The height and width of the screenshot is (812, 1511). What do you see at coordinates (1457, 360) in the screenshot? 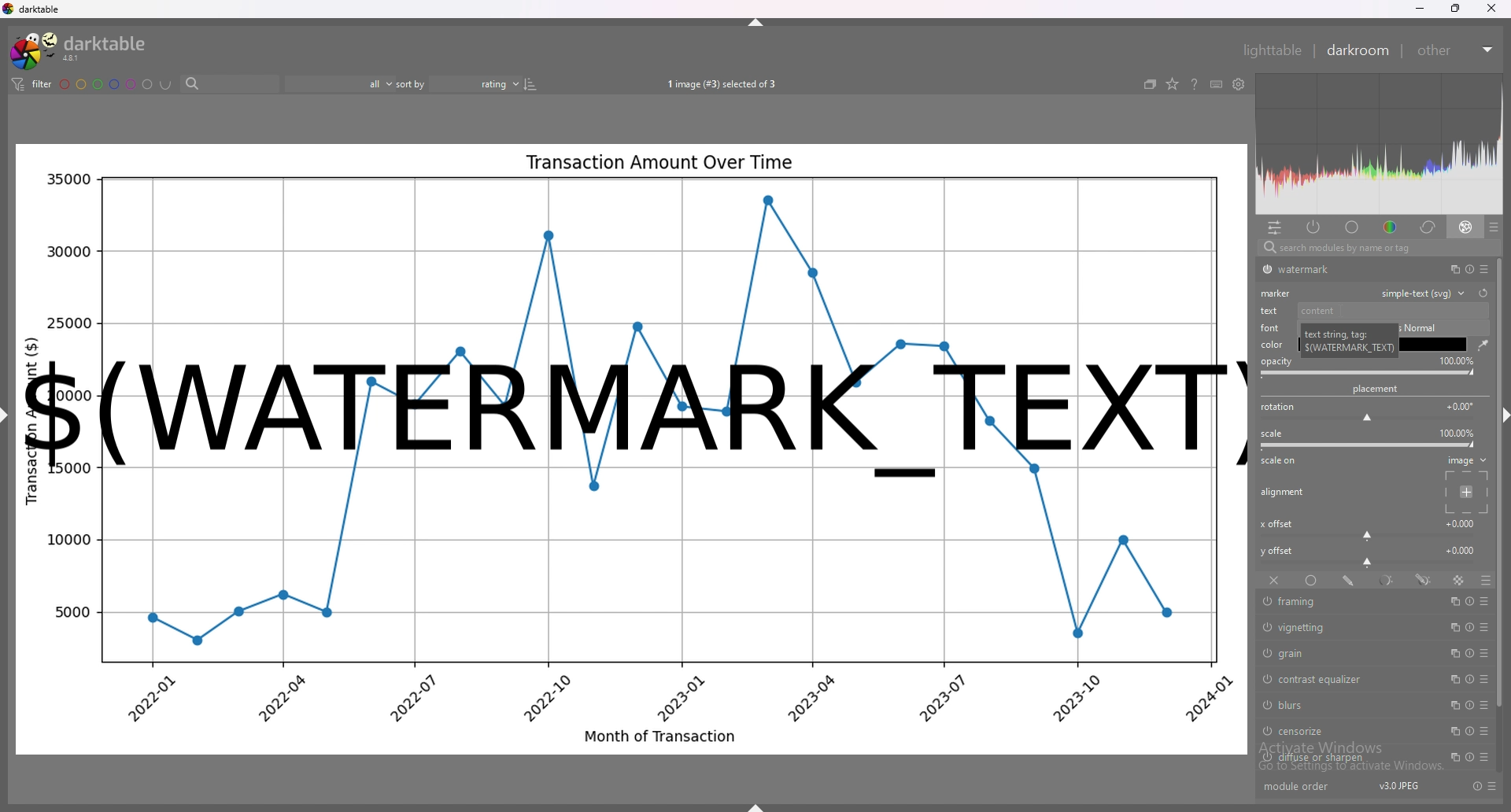
I see `opacity` at bounding box center [1457, 360].